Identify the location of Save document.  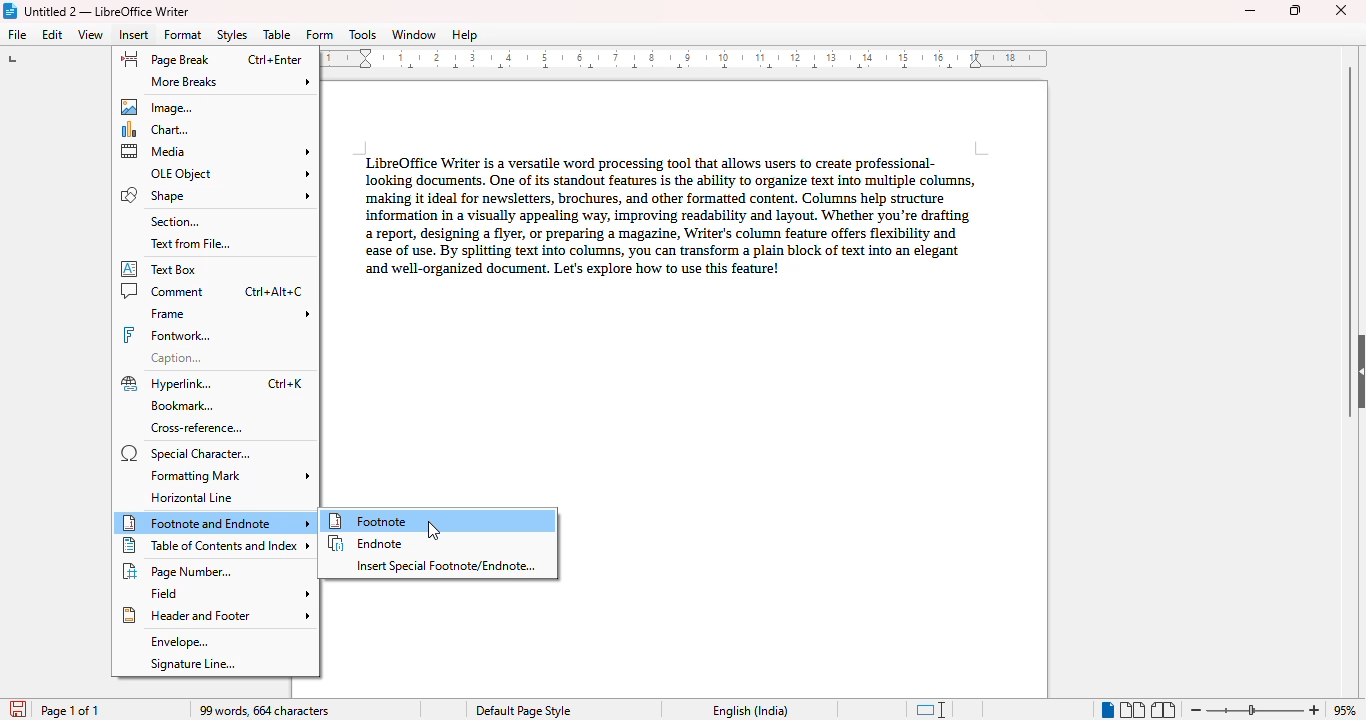
(16, 705).